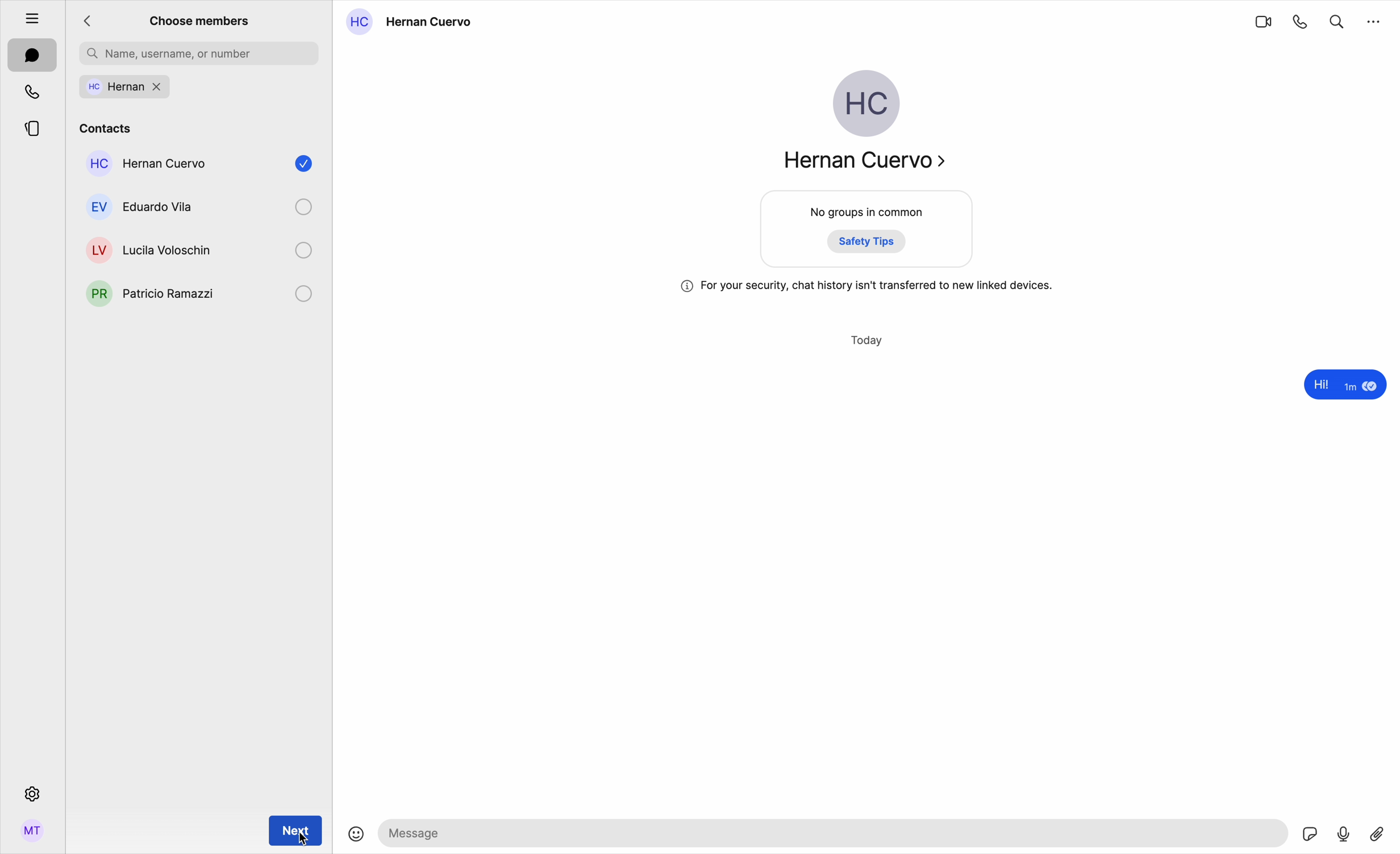 The image size is (1400, 854). What do you see at coordinates (867, 286) in the screenshot?
I see `safety message` at bounding box center [867, 286].